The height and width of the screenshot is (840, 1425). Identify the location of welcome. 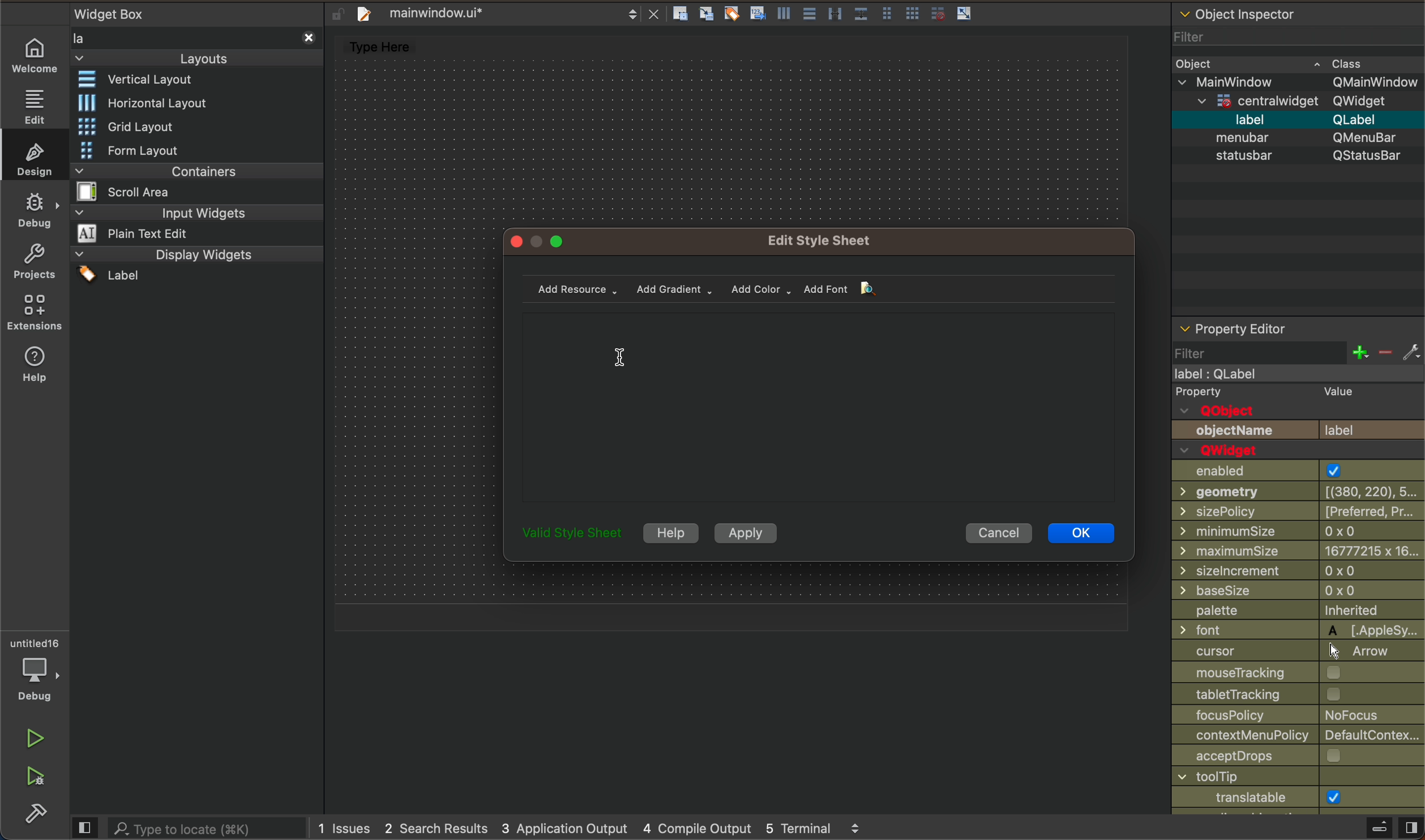
(36, 59).